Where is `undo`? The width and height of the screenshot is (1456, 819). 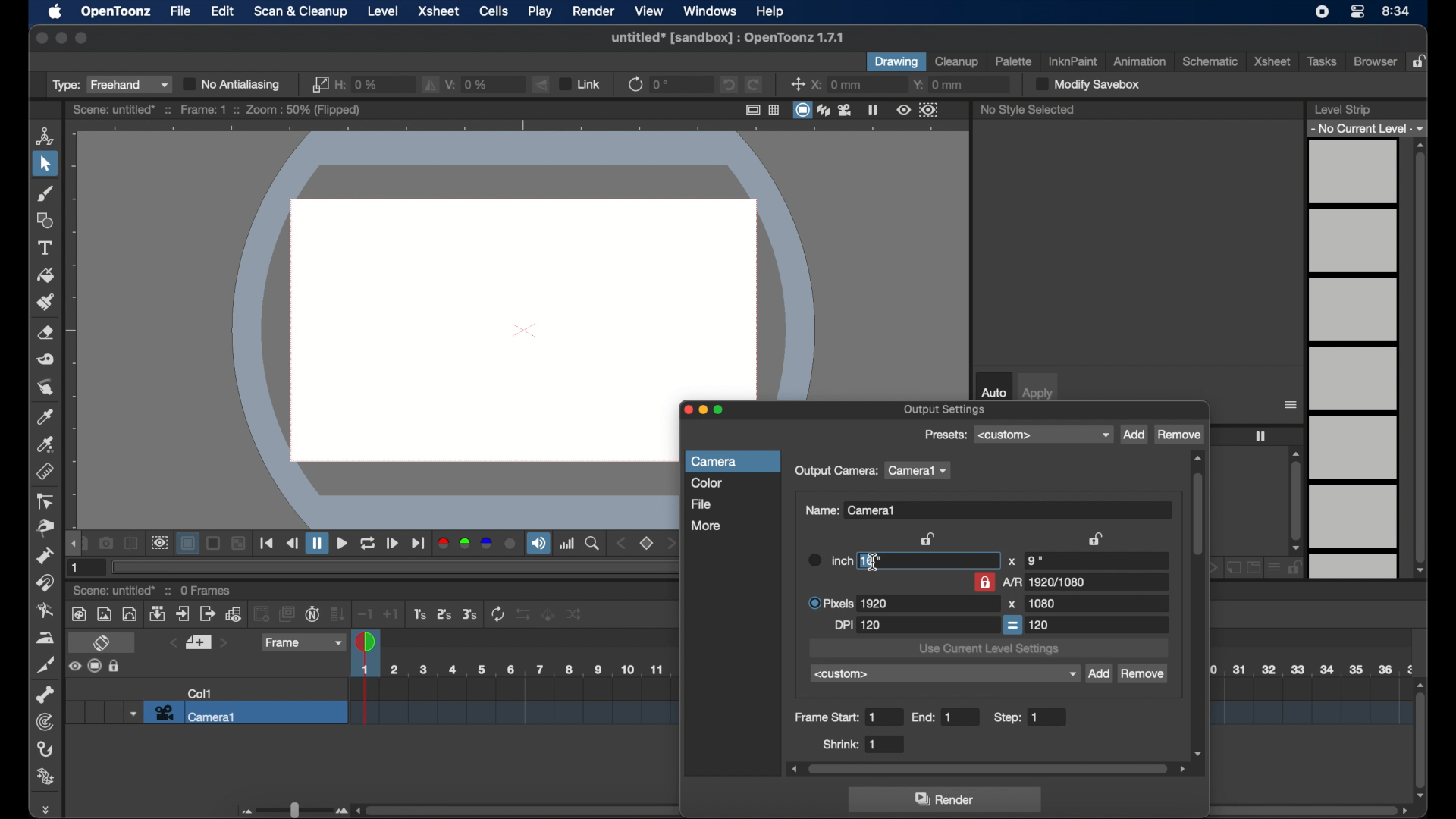 undo is located at coordinates (727, 84).